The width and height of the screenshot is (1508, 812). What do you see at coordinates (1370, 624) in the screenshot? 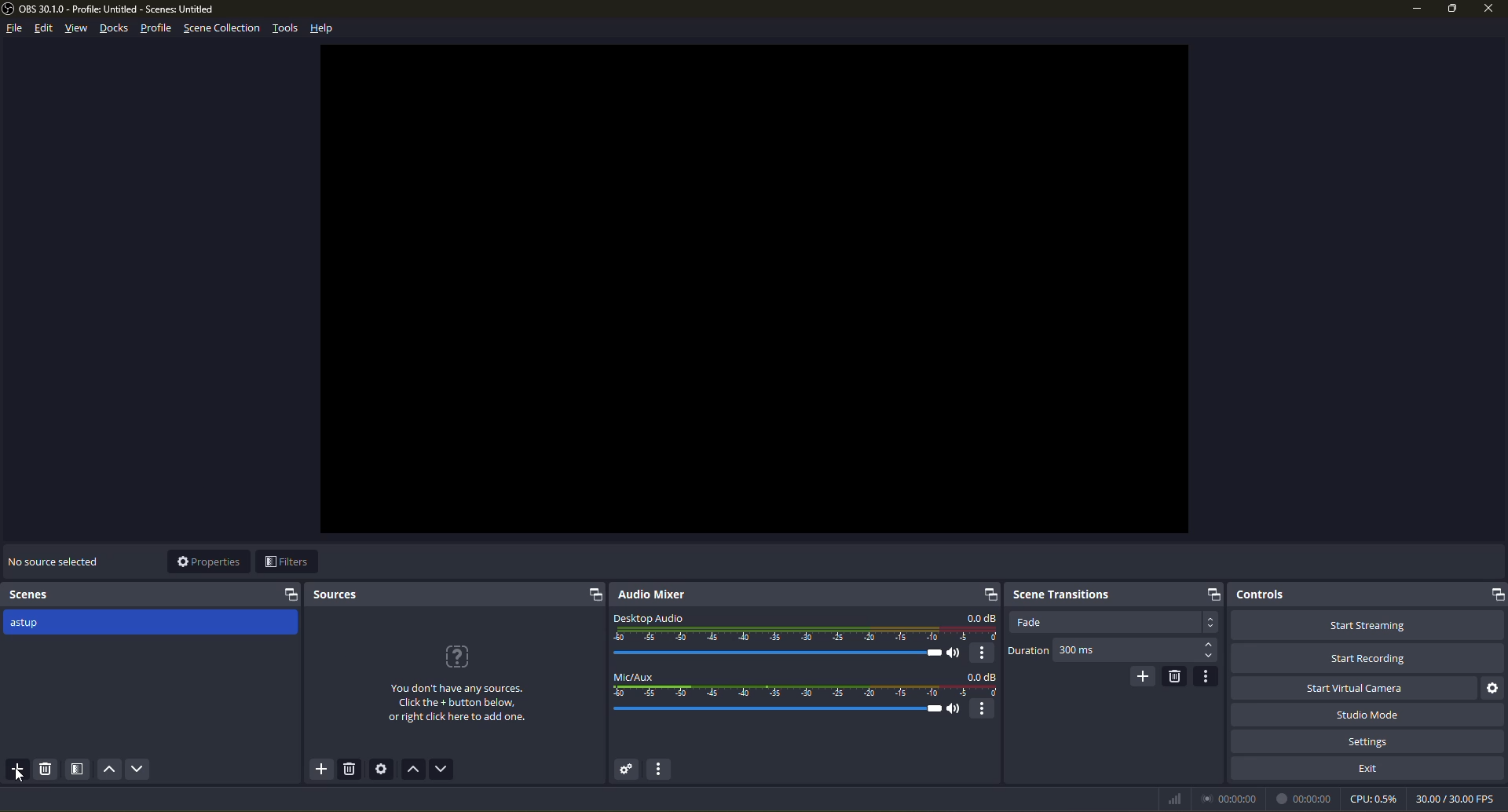
I see `start streaming` at bounding box center [1370, 624].